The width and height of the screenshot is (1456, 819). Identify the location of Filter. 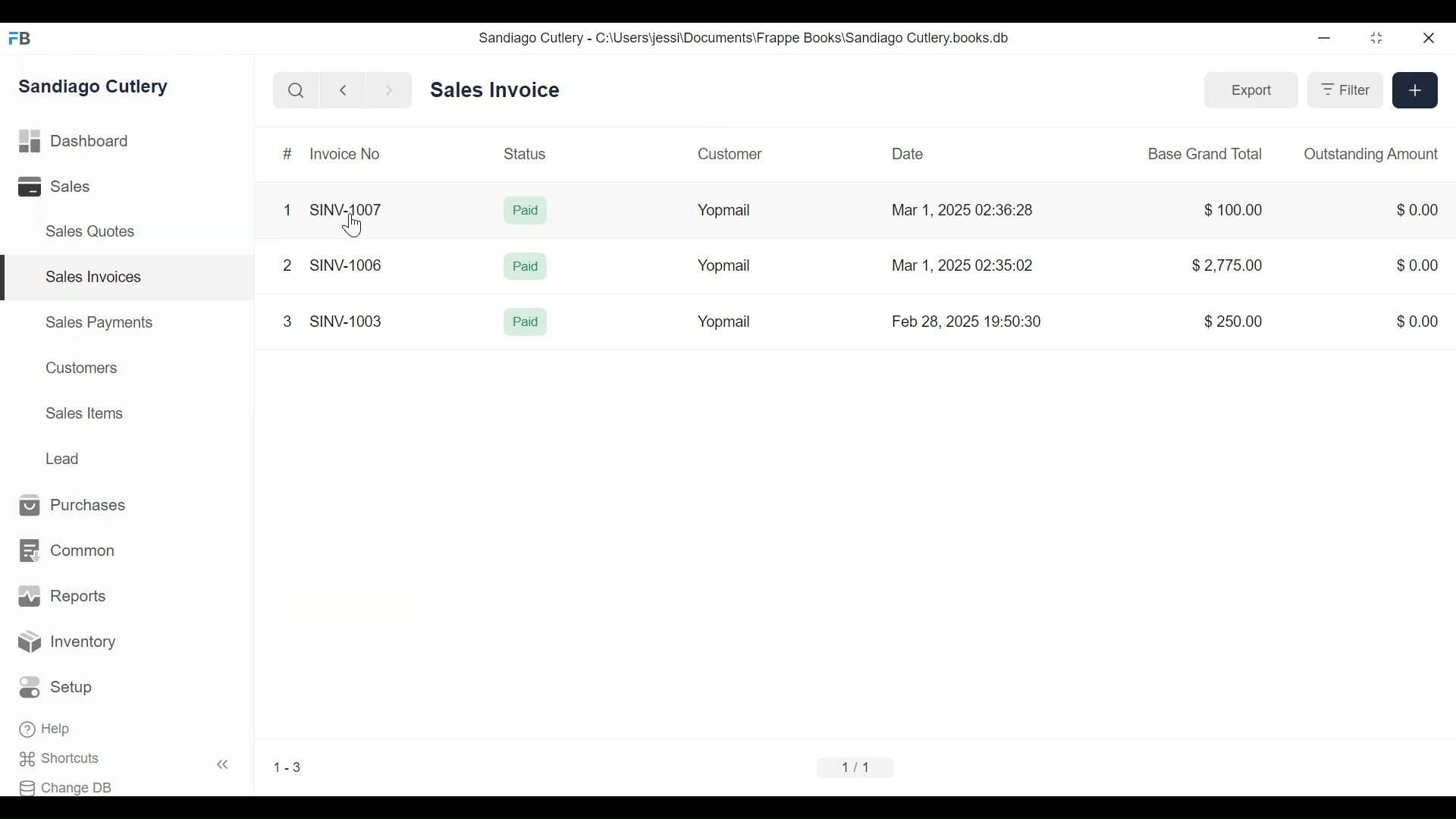
(1347, 90).